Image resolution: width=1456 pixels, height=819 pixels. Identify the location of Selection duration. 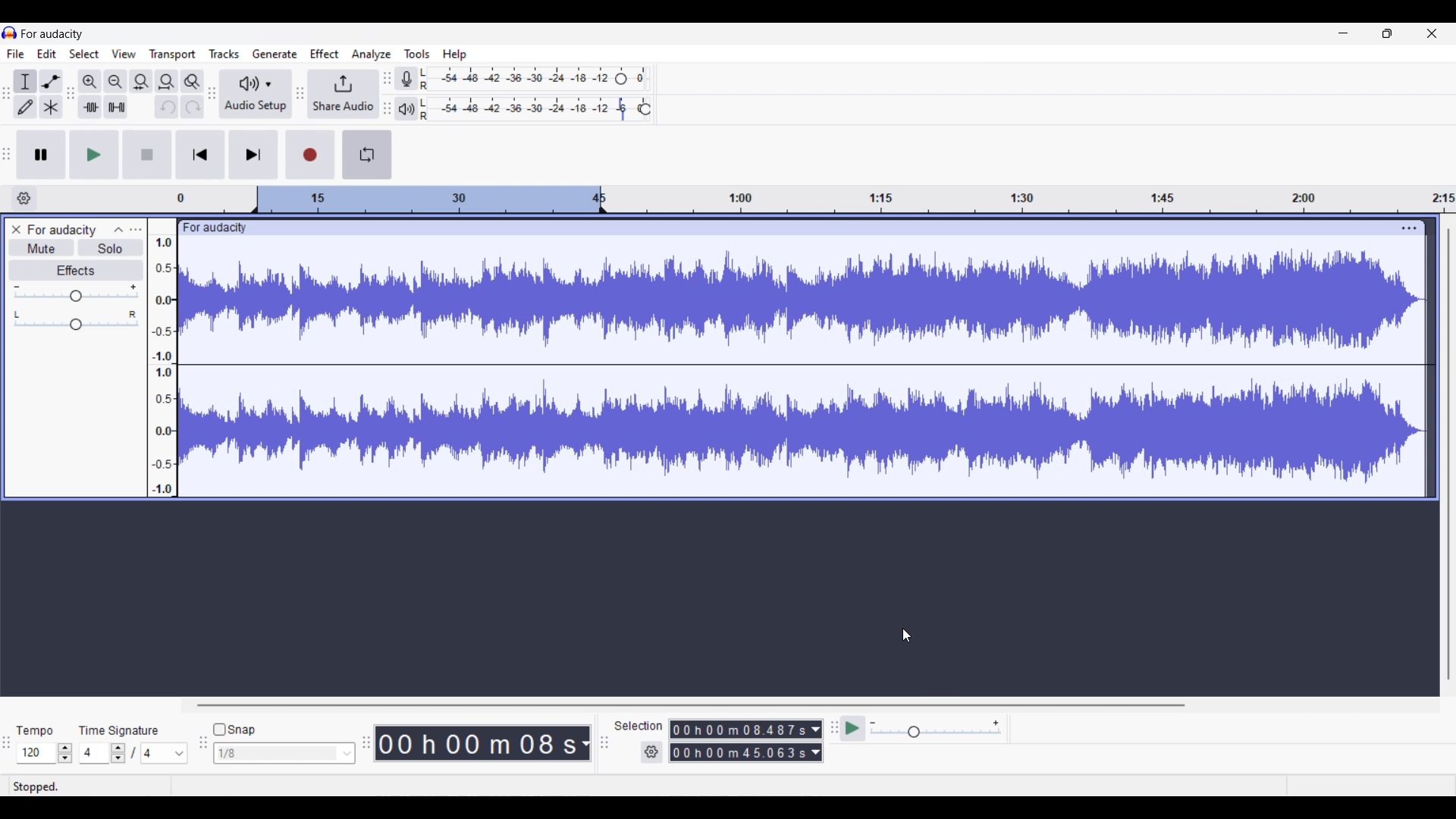
(739, 730).